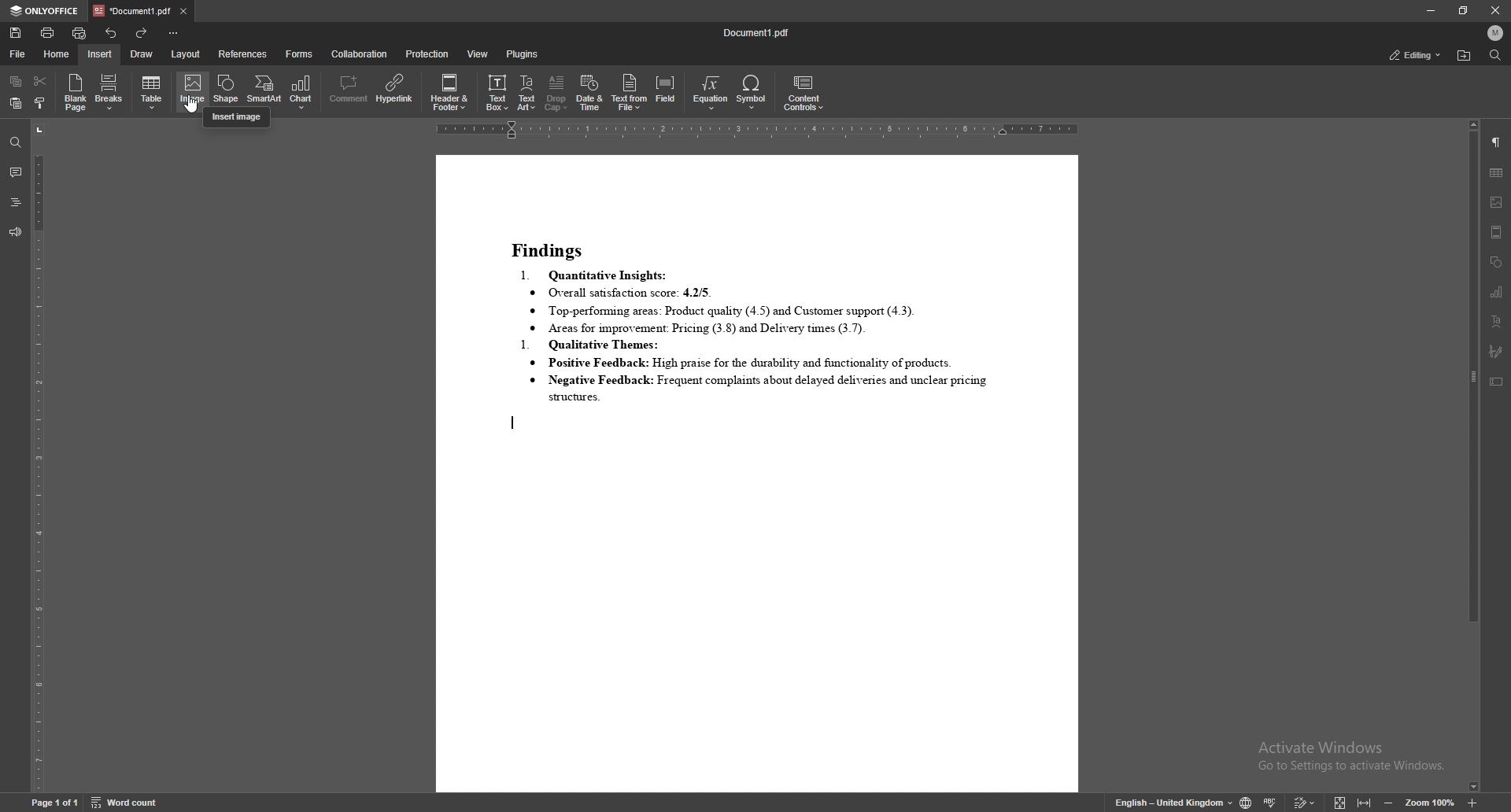 The height and width of the screenshot is (812, 1511). Describe the element at coordinates (15, 103) in the screenshot. I see `paste` at that location.